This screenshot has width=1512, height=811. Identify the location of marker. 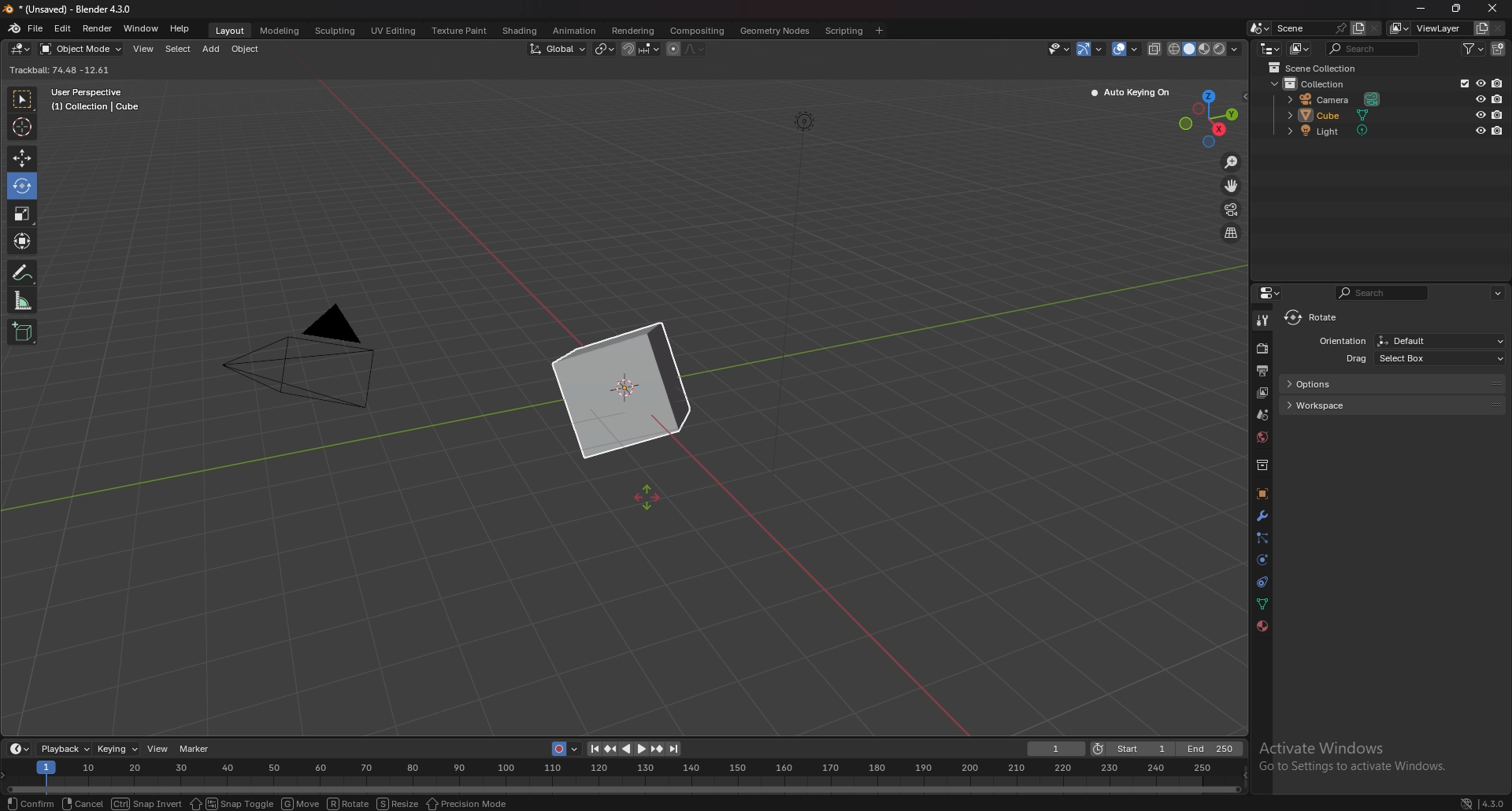
(198, 750).